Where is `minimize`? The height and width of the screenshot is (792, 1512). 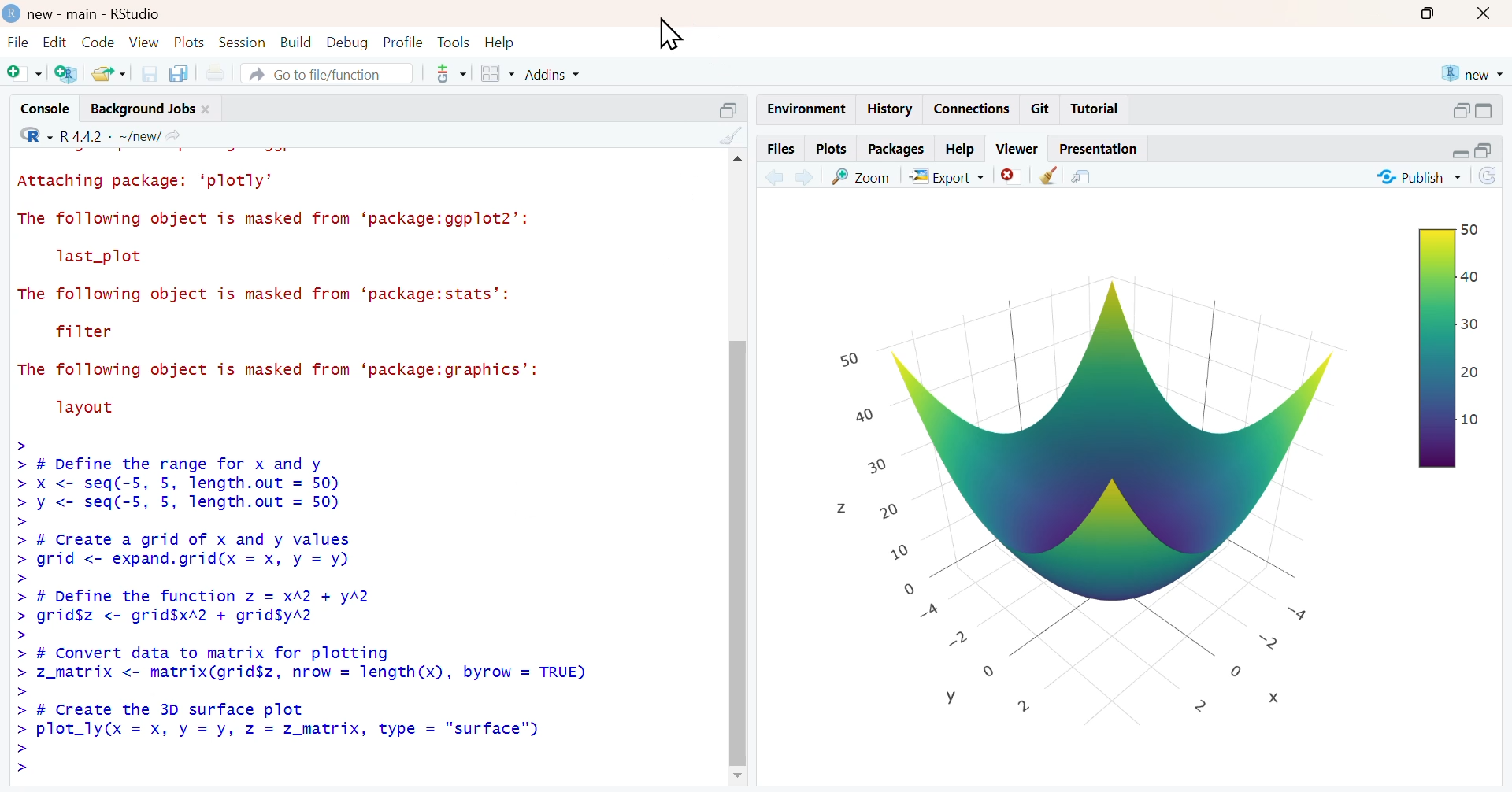 minimize is located at coordinates (1374, 11).